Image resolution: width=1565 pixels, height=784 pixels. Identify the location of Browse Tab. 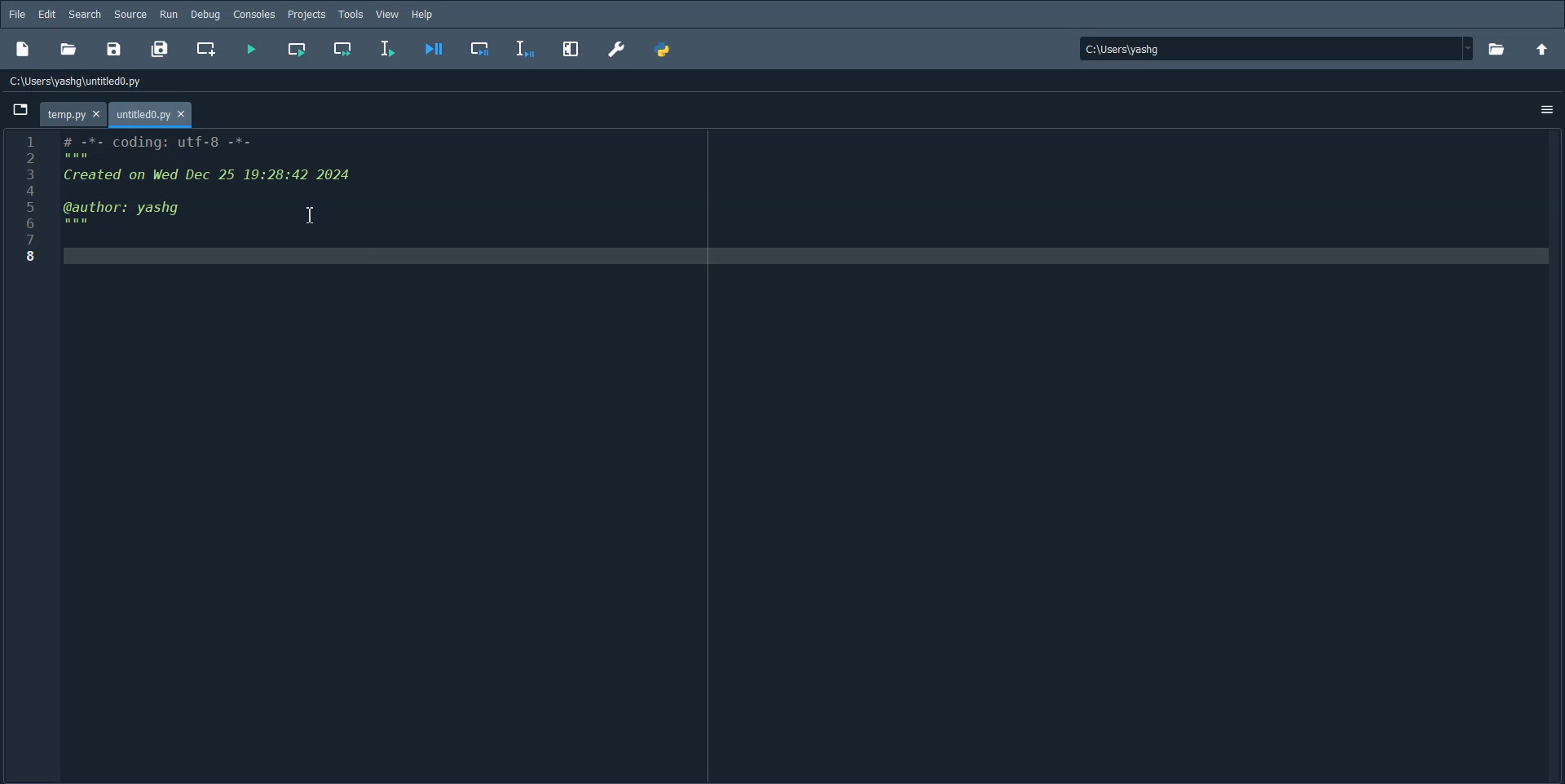
(20, 109).